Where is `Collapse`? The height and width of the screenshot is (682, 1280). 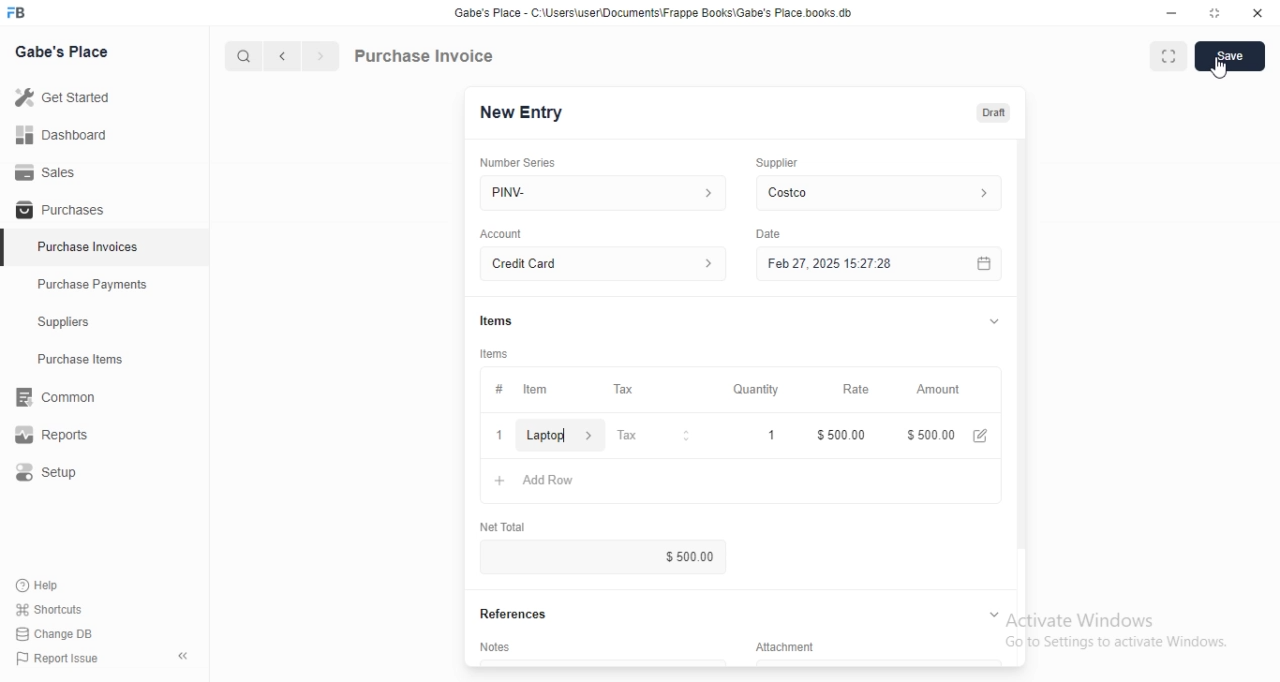 Collapse is located at coordinates (183, 656).